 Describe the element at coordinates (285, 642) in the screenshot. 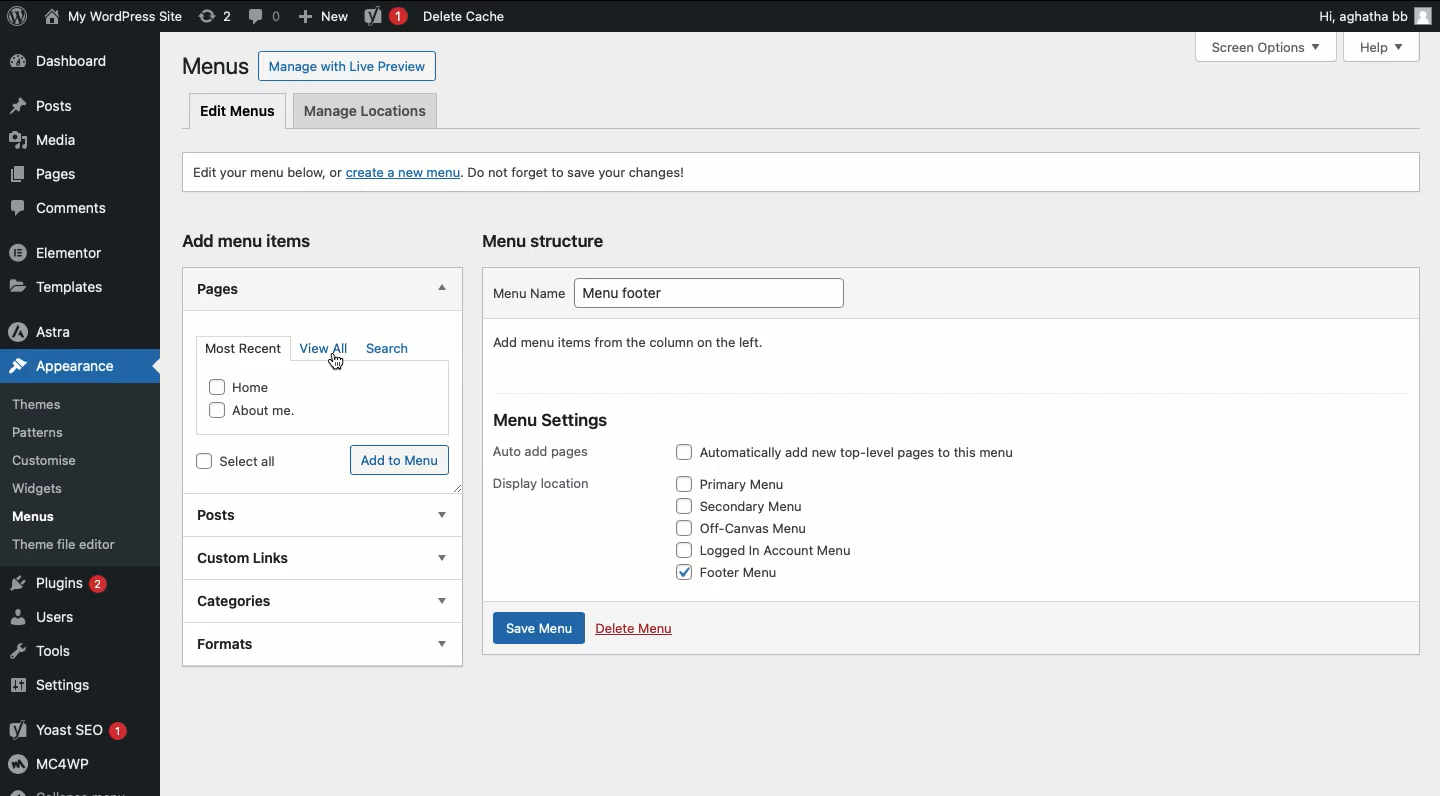

I see `Formats` at that location.